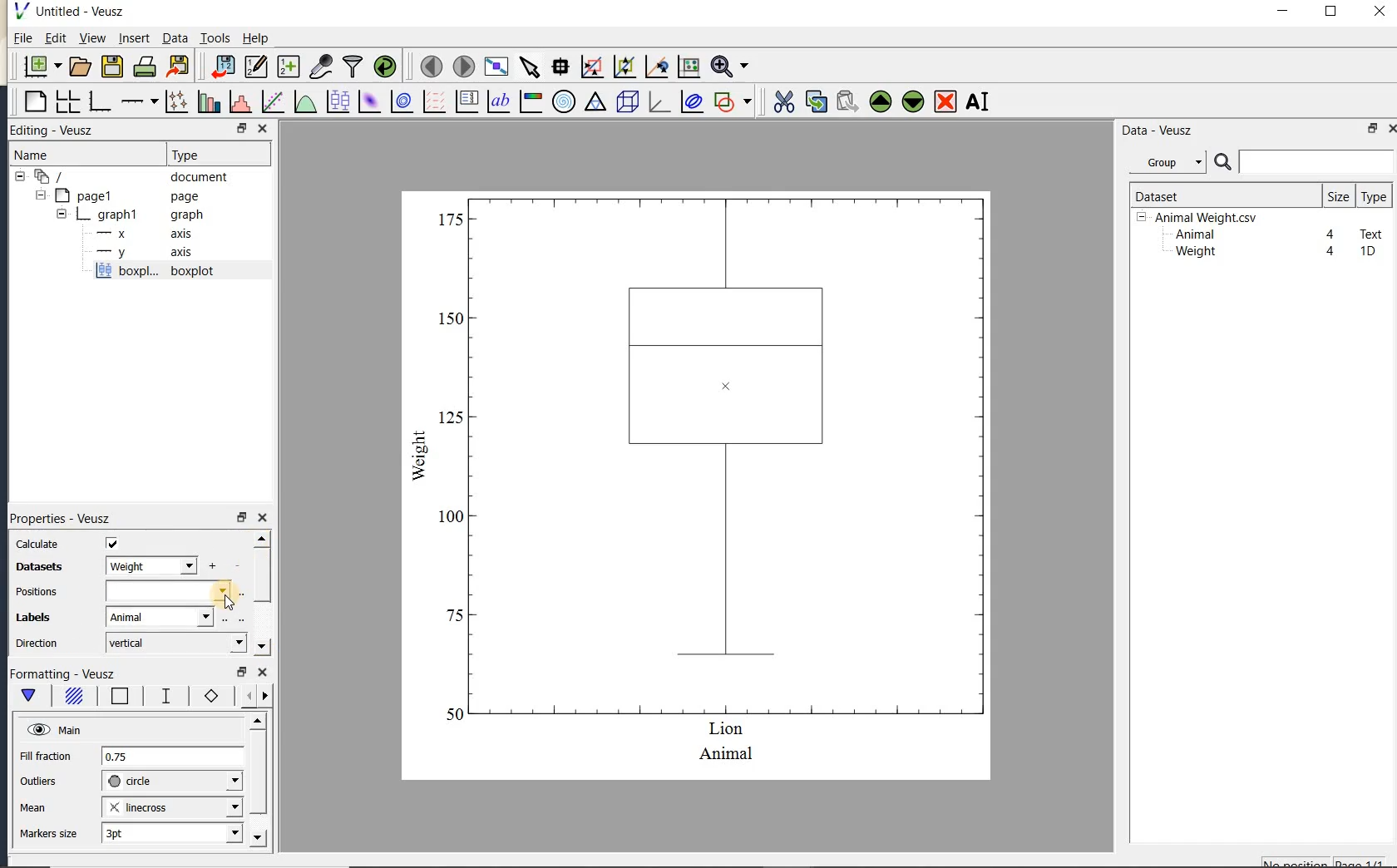 The image size is (1397, 868). I want to click on plot a 2d dataset as an image, so click(368, 101).